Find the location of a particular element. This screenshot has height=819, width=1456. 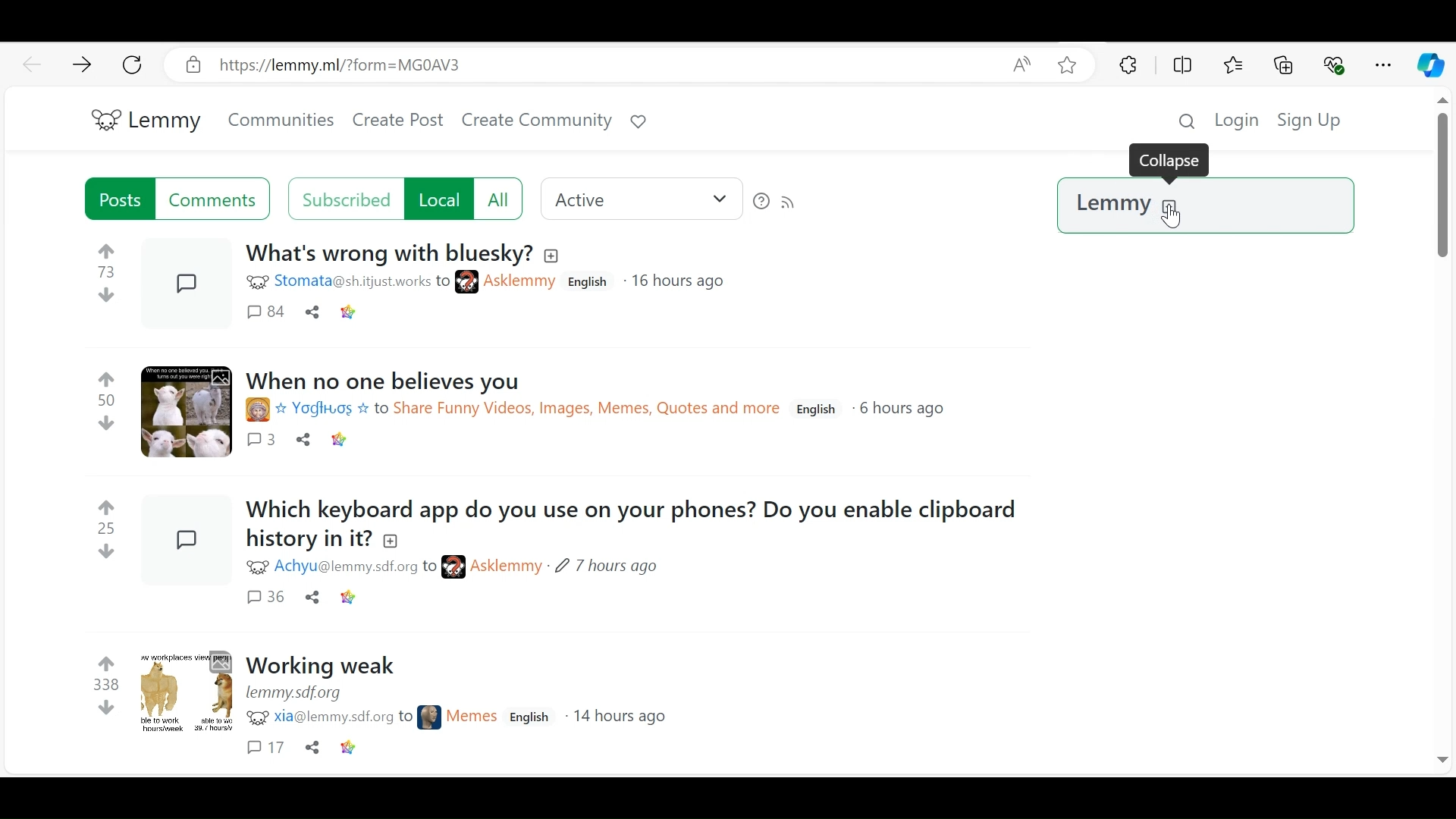

icon is located at coordinates (259, 720).